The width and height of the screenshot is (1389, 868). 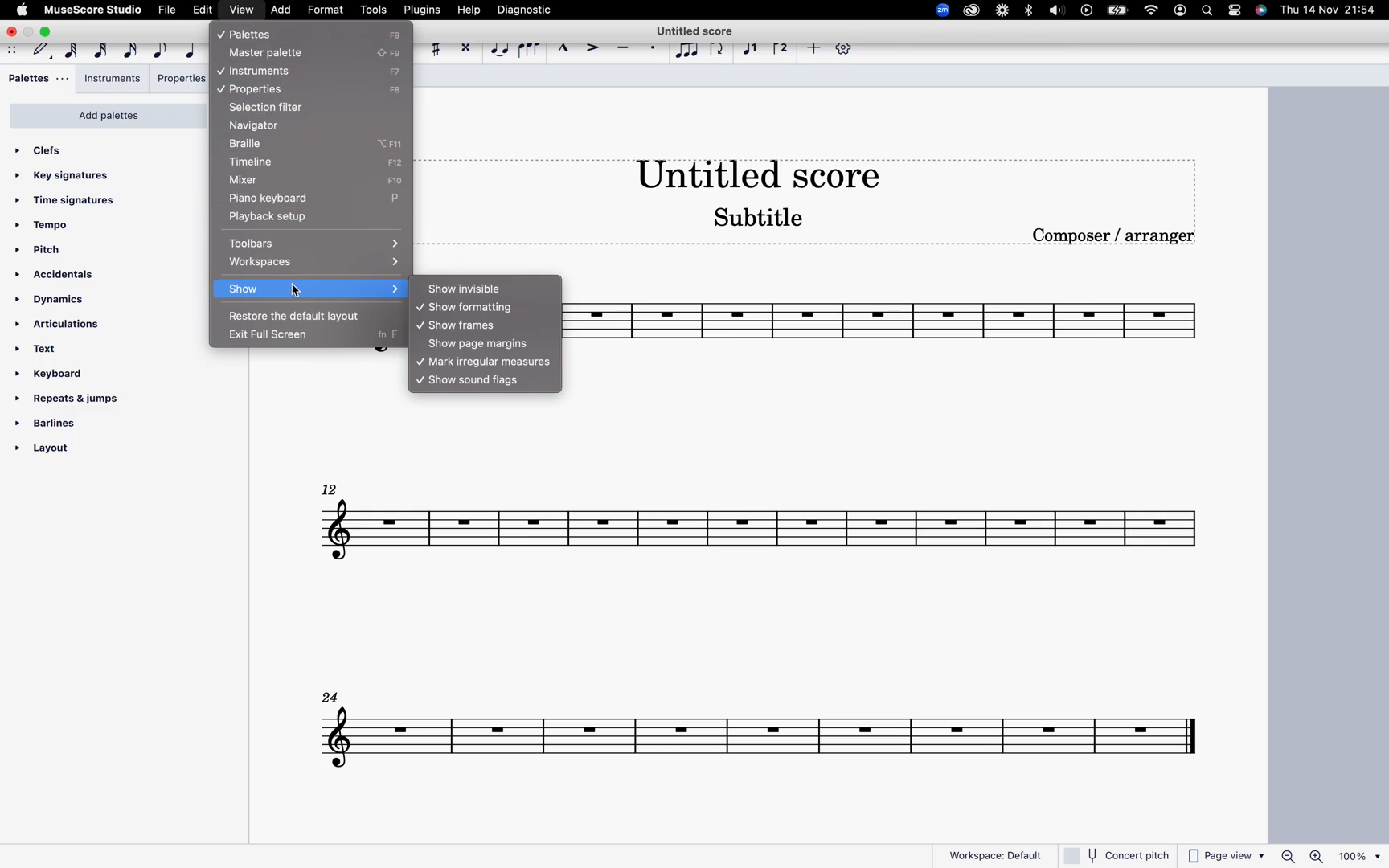 I want to click on settings, so click(x=1233, y=10).